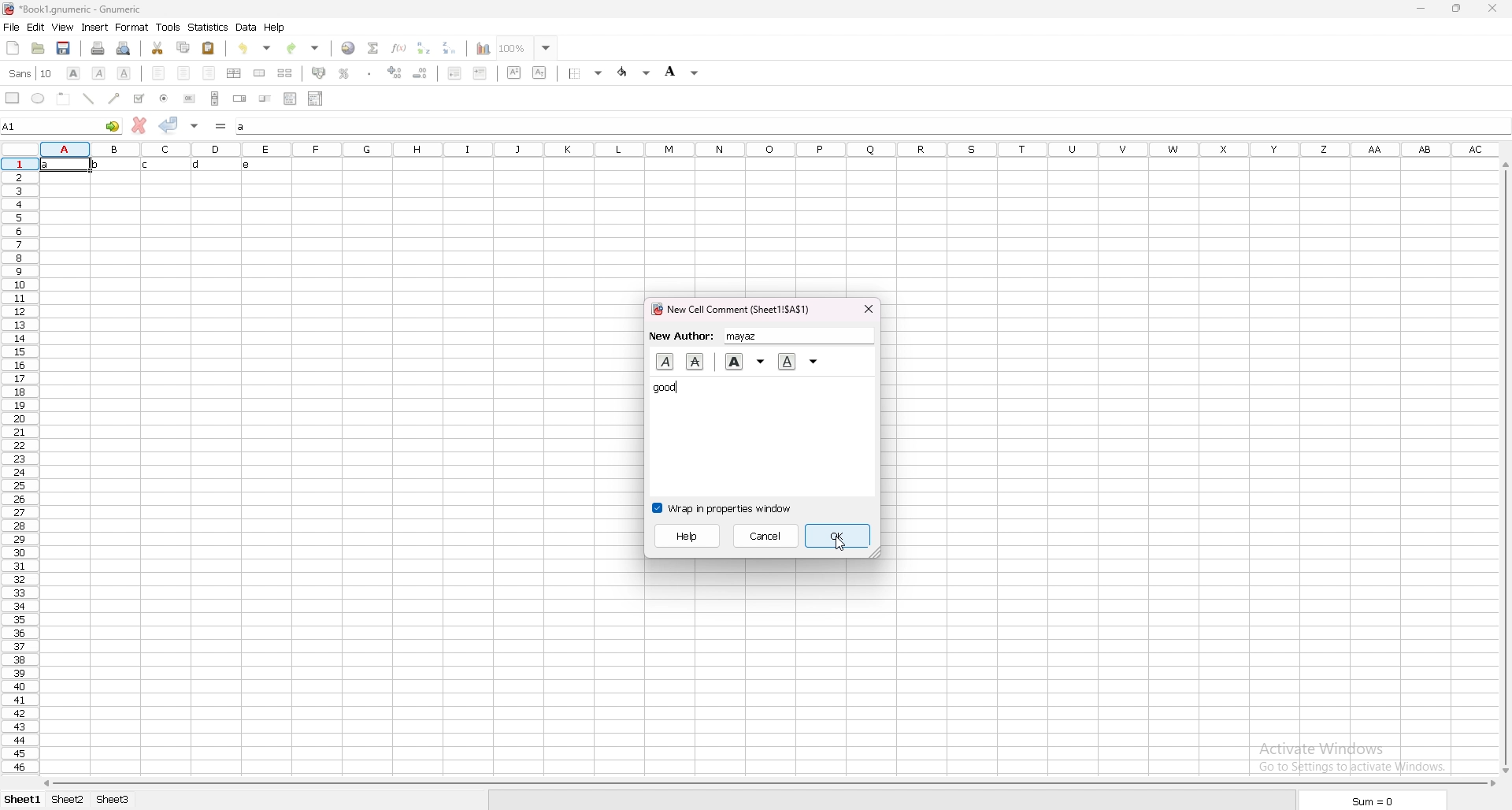 The image size is (1512, 810). I want to click on help, so click(689, 536).